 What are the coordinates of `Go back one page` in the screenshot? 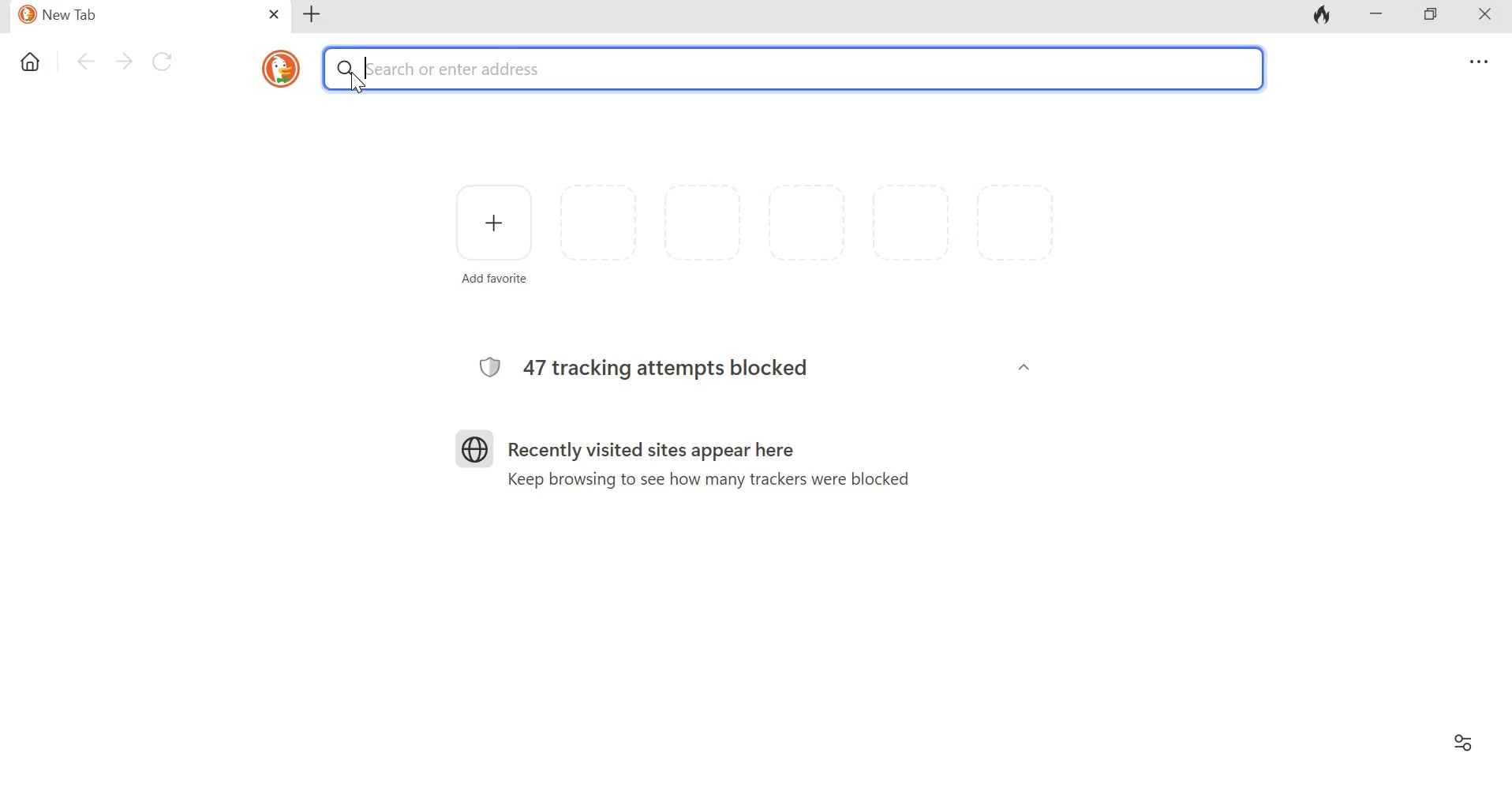 It's located at (82, 63).